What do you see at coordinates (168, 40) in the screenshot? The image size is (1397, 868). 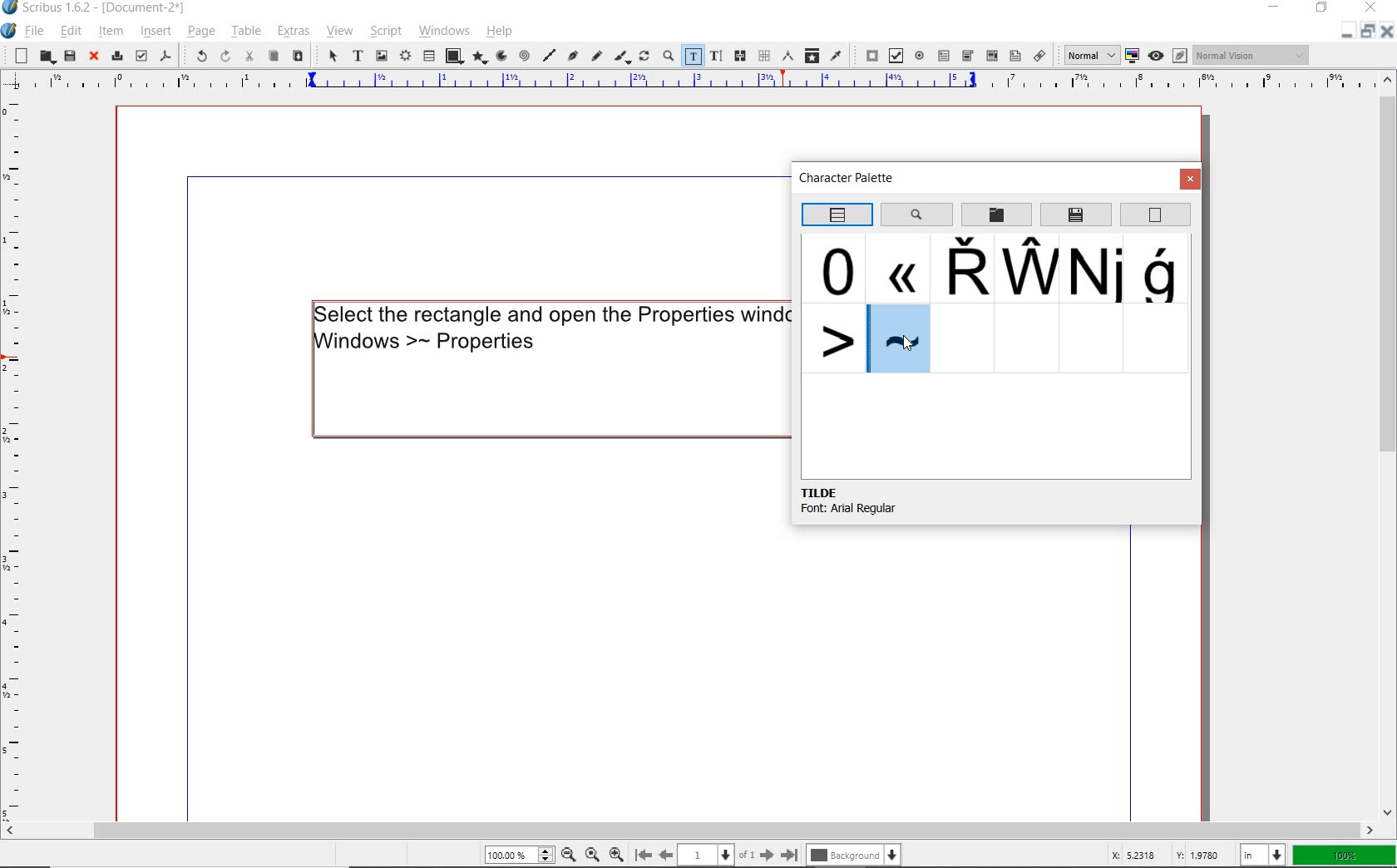 I see `Cursor` at bounding box center [168, 40].